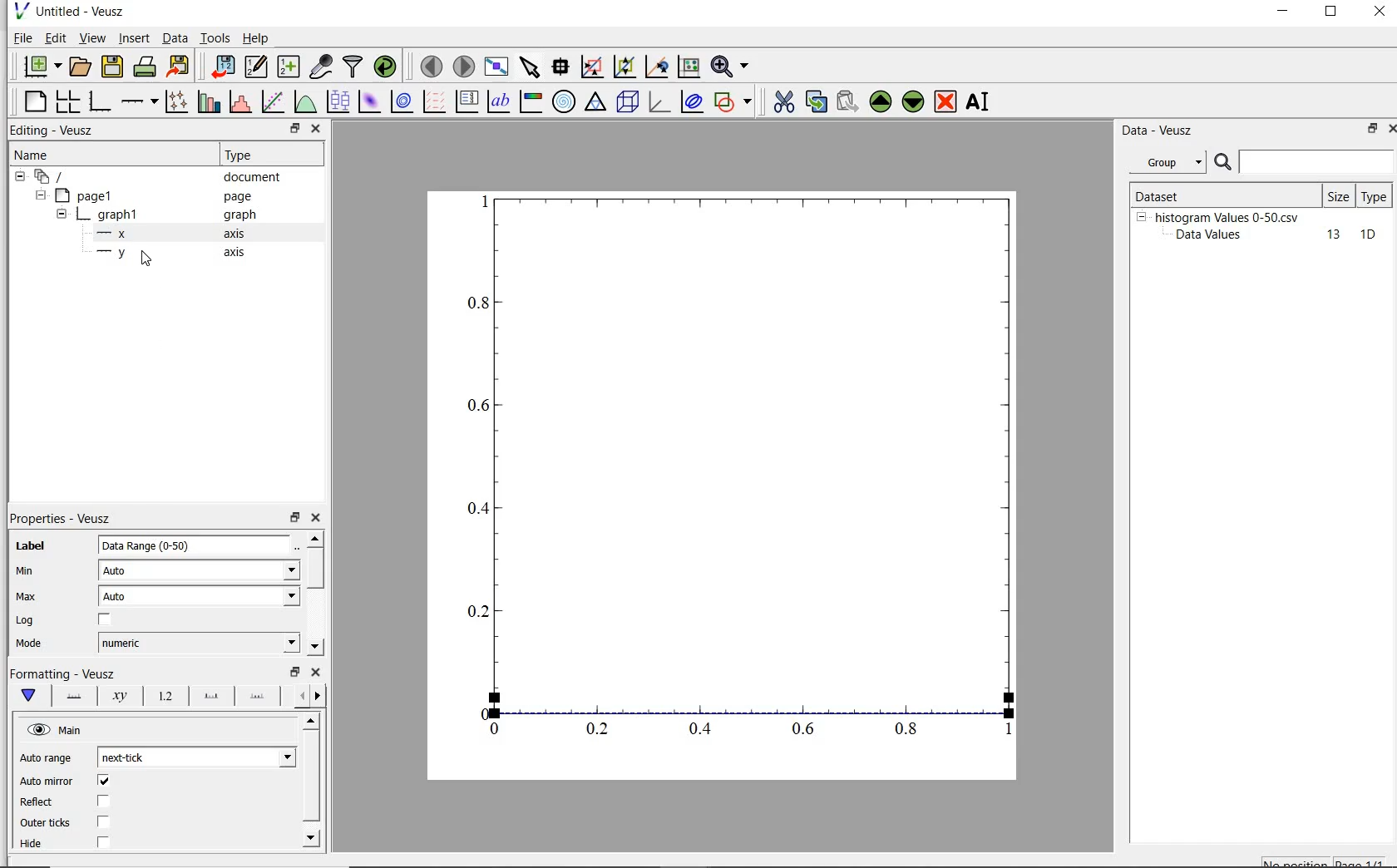 The width and height of the screenshot is (1397, 868). I want to click on properties-veusz, so click(61, 519).